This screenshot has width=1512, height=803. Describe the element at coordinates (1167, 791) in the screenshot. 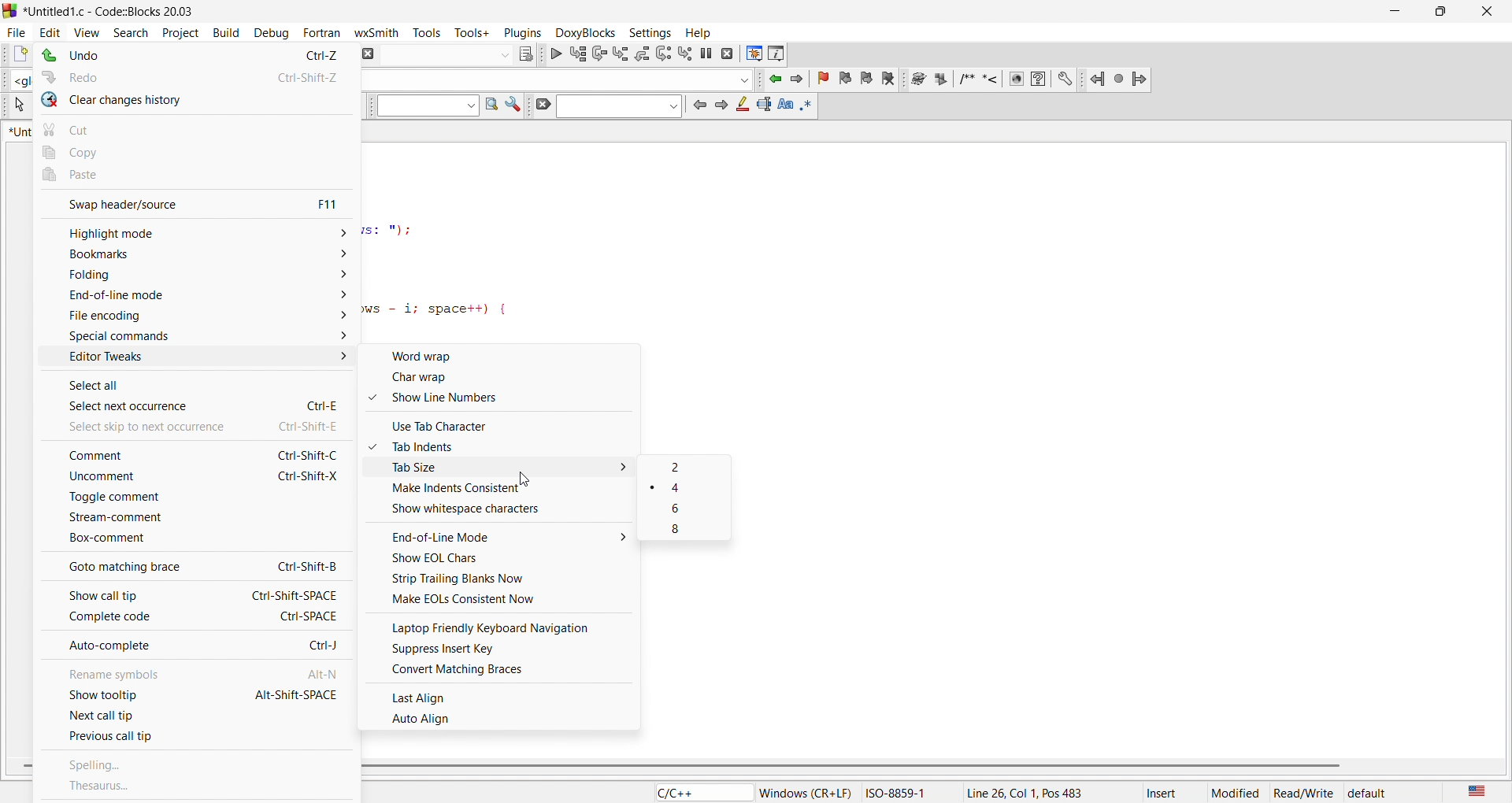

I see `insert` at that location.